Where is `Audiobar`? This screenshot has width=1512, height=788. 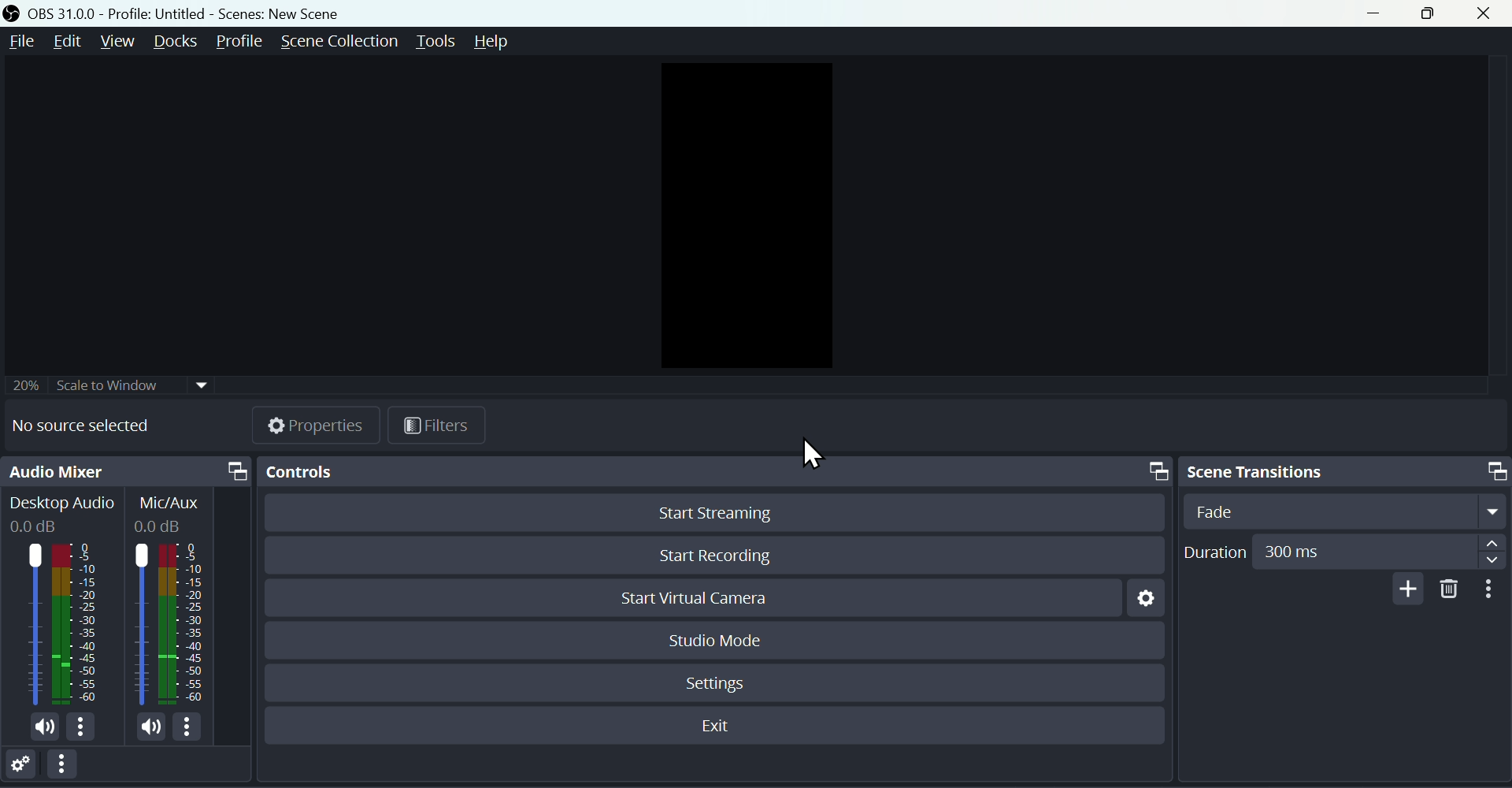 Audiobar is located at coordinates (172, 621).